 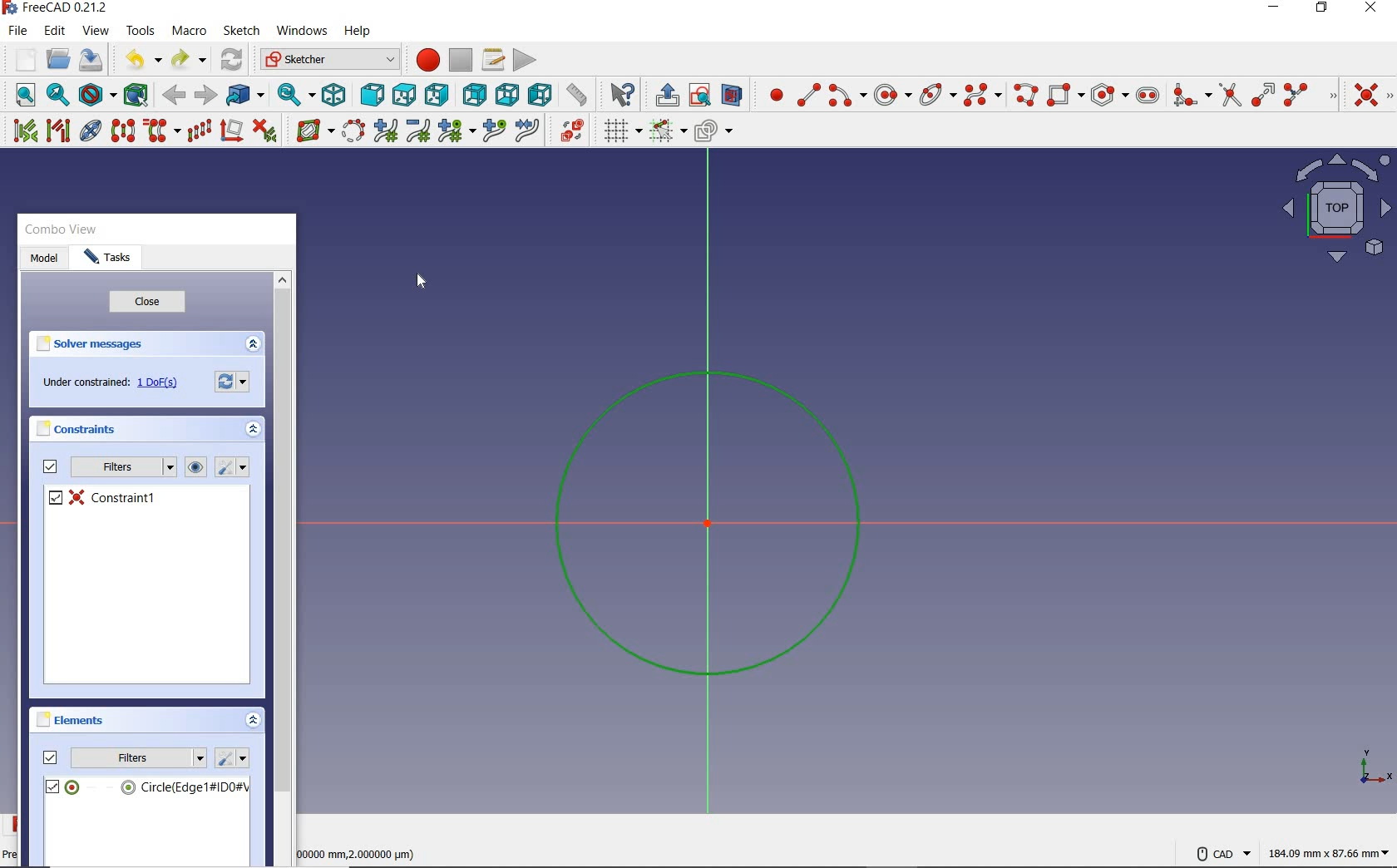 I want to click on leave sketch, so click(x=664, y=93).